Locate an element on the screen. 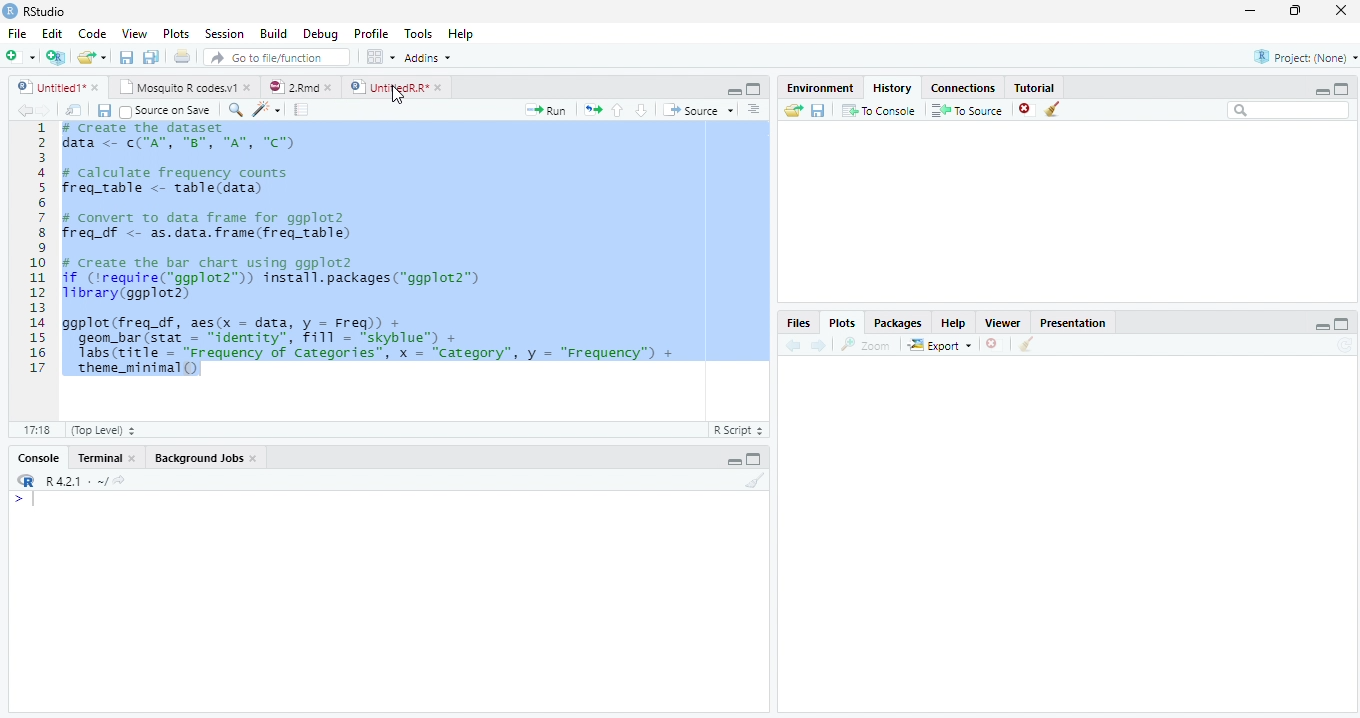 This screenshot has width=1360, height=718. Help  is located at coordinates (959, 324).